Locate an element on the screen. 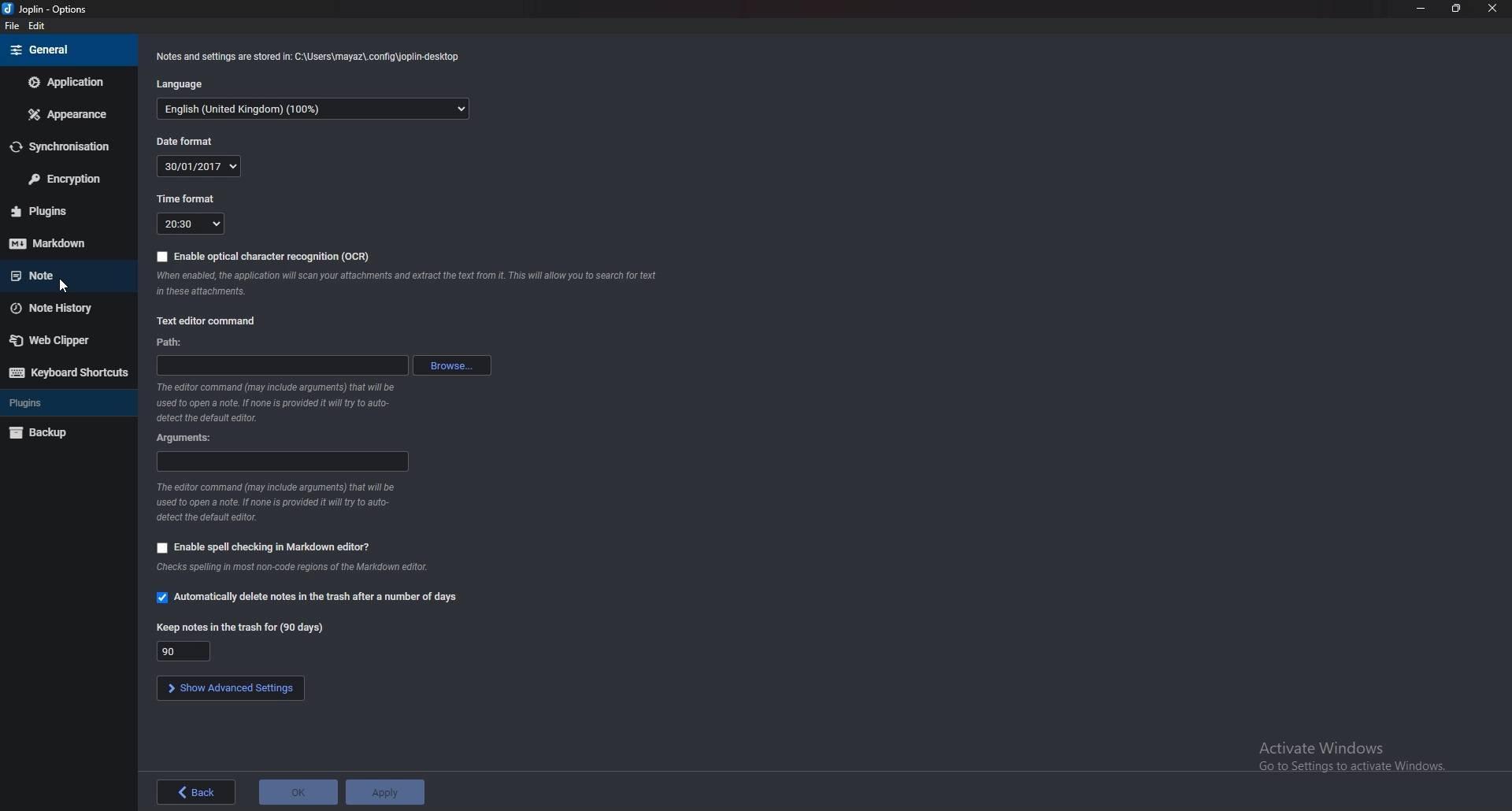  path is located at coordinates (283, 365).